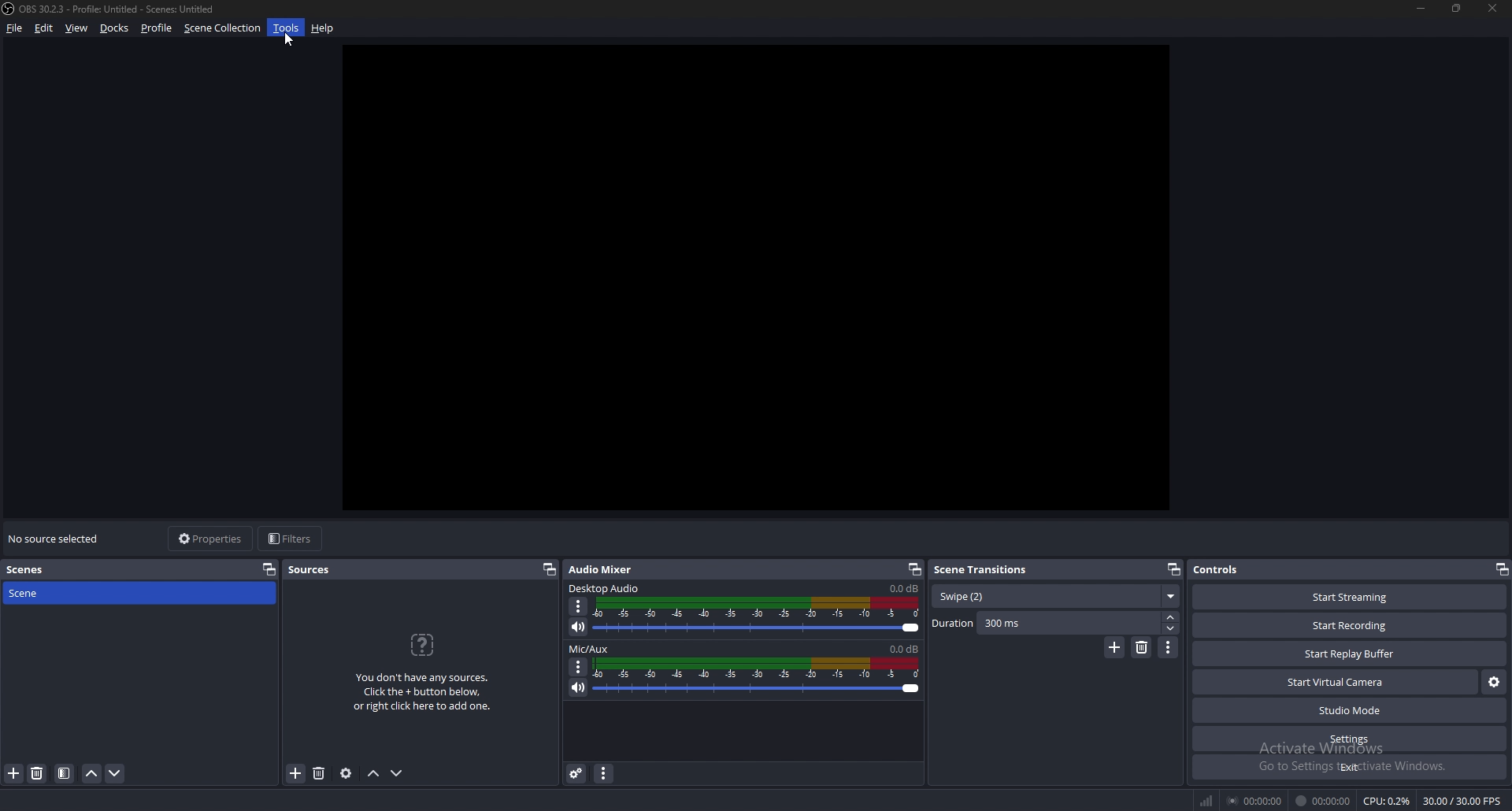 This screenshot has height=811, width=1512. I want to click on profile, so click(157, 28).